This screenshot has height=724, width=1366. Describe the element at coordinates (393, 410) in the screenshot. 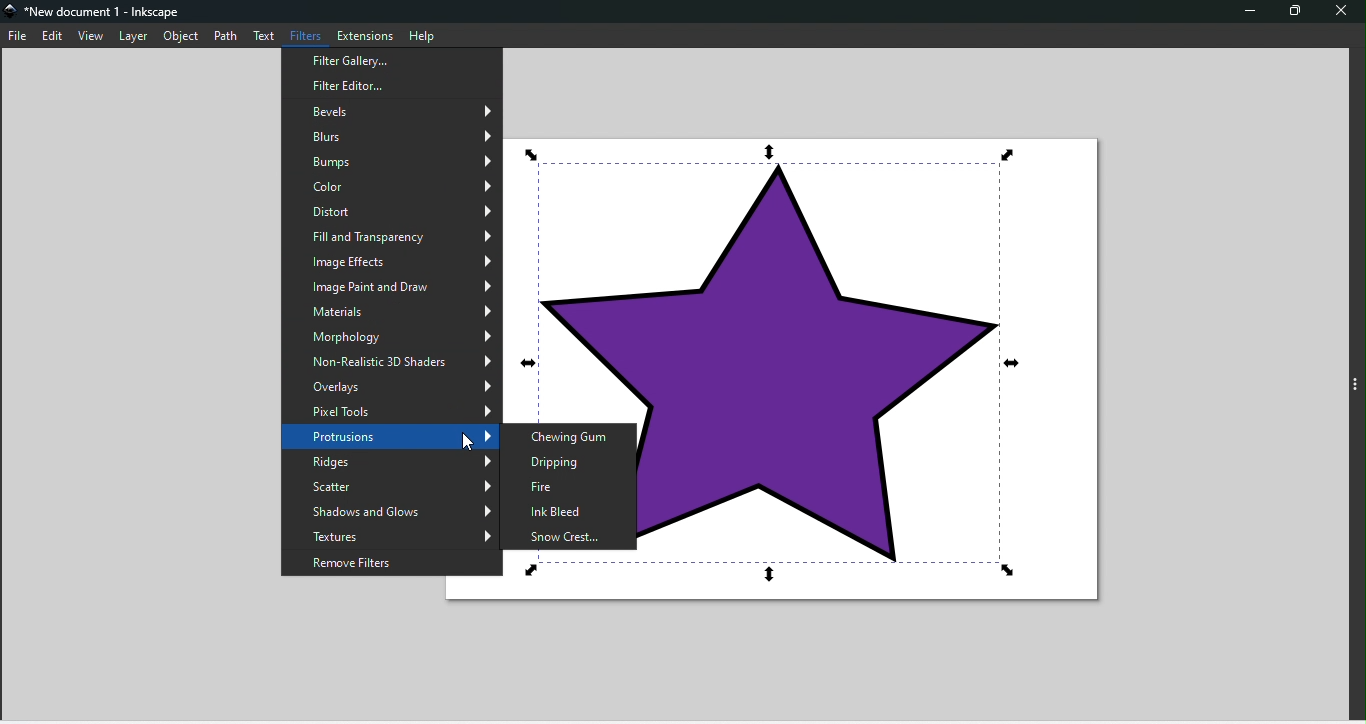

I see `Pixel tools` at that location.